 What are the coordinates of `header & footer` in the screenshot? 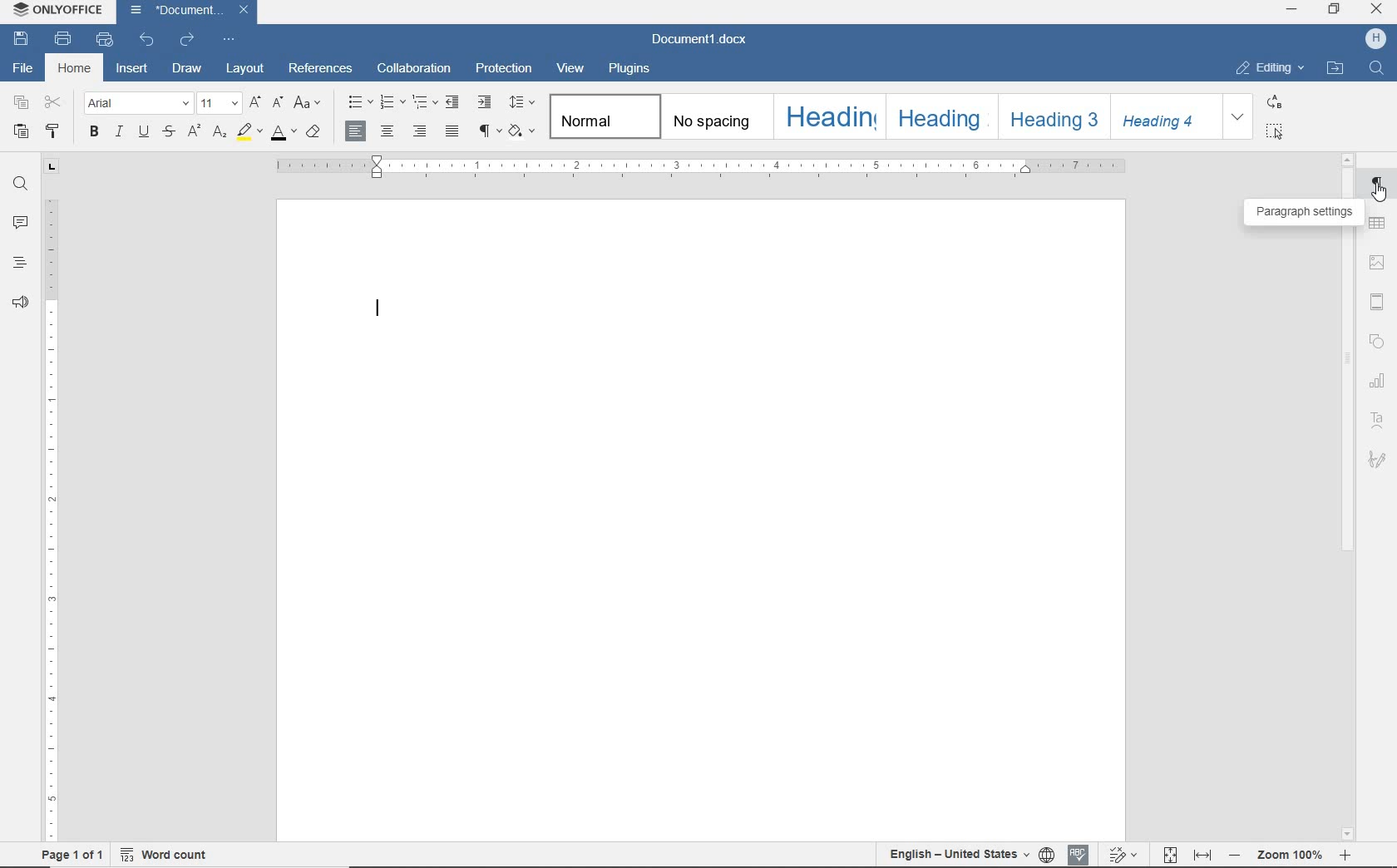 It's located at (1377, 301).